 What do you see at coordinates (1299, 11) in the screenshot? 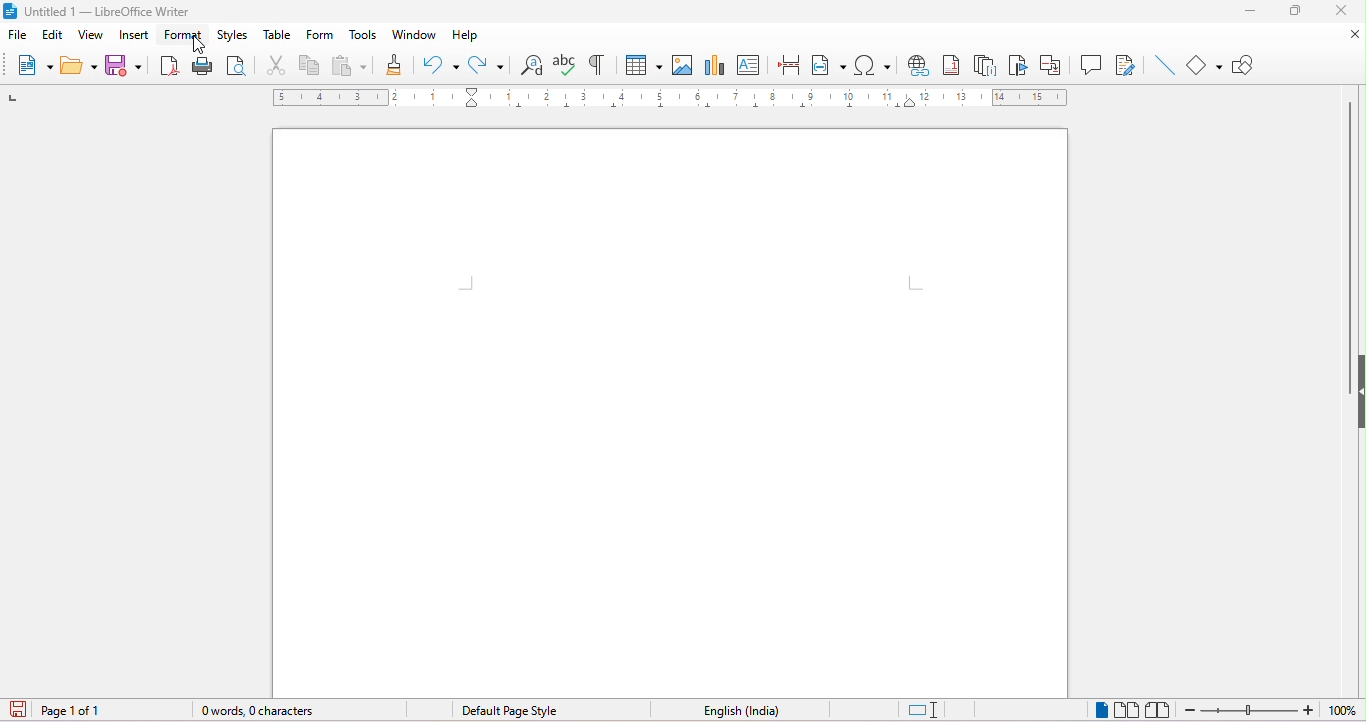
I see `maximize` at bounding box center [1299, 11].